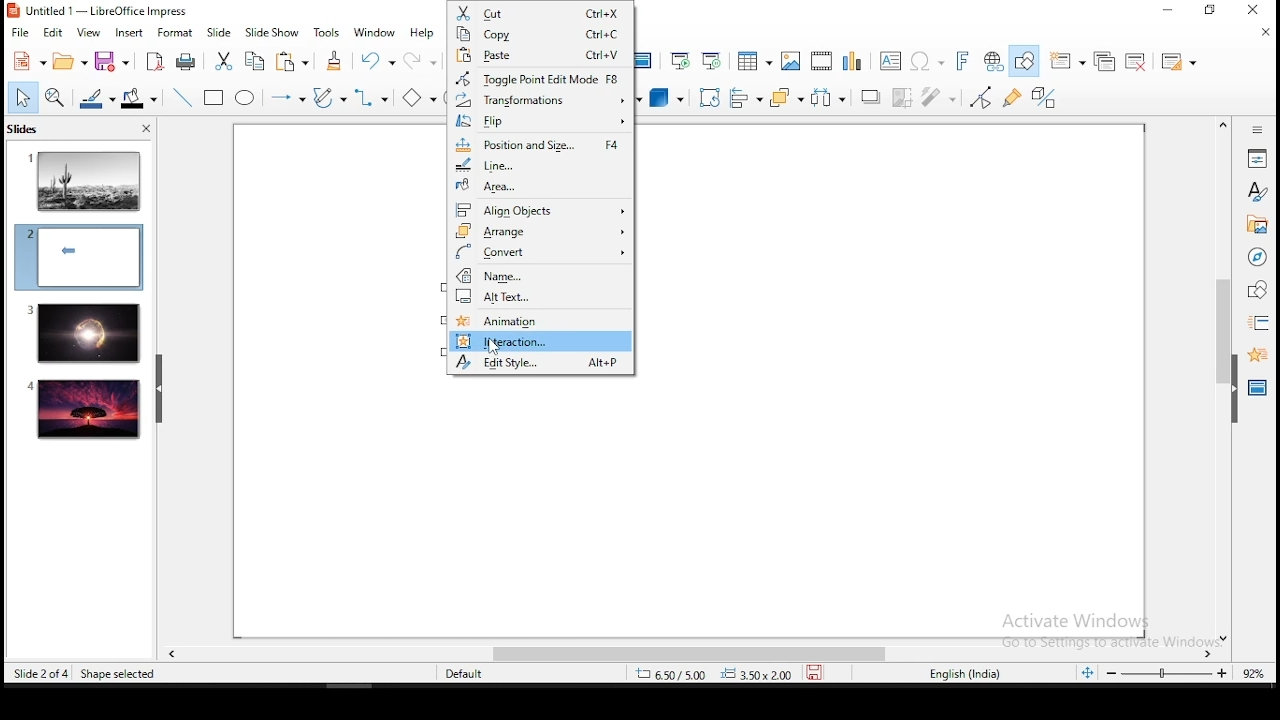 The image size is (1280, 720). Describe the element at coordinates (138, 100) in the screenshot. I see `shape fill` at that location.